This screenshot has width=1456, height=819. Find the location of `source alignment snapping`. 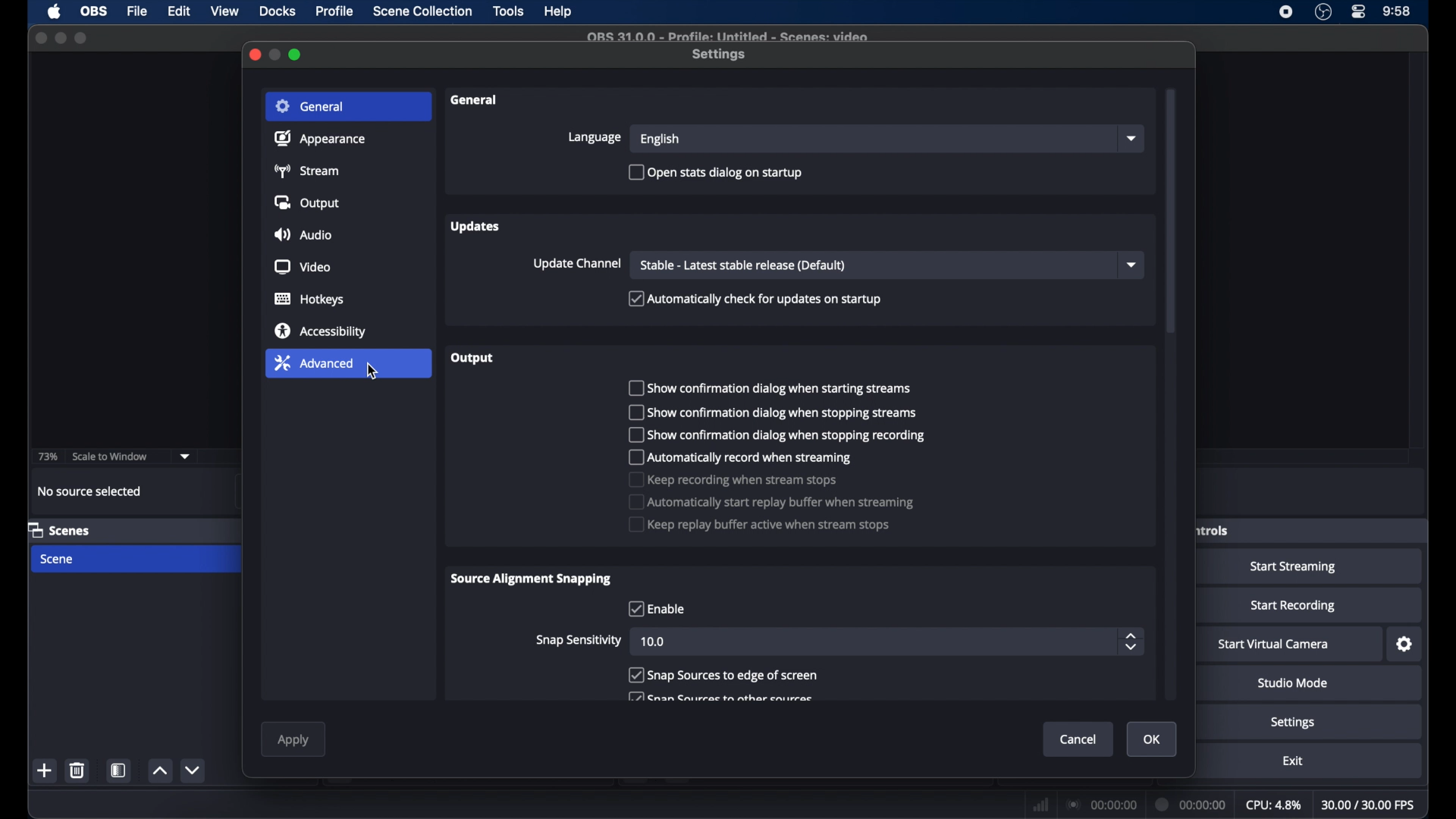

source alignment snapping is located at coordinates (532, 579).